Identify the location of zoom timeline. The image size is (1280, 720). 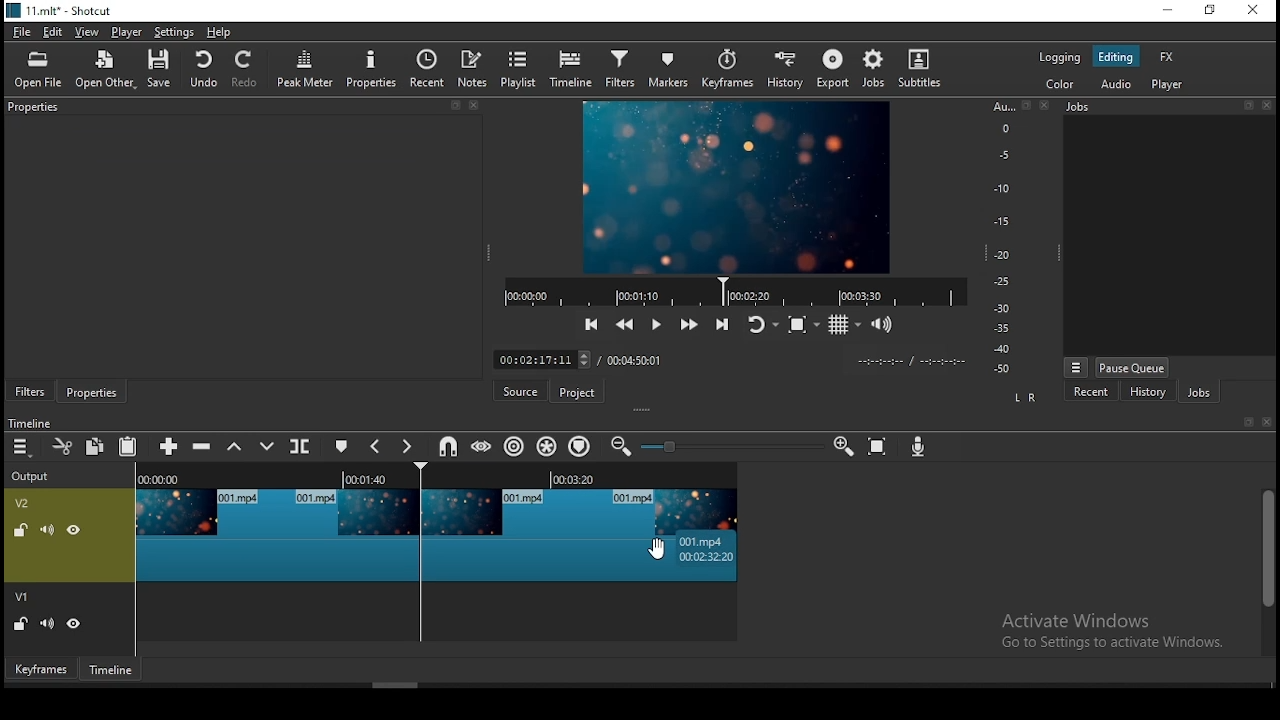
(845, 444).